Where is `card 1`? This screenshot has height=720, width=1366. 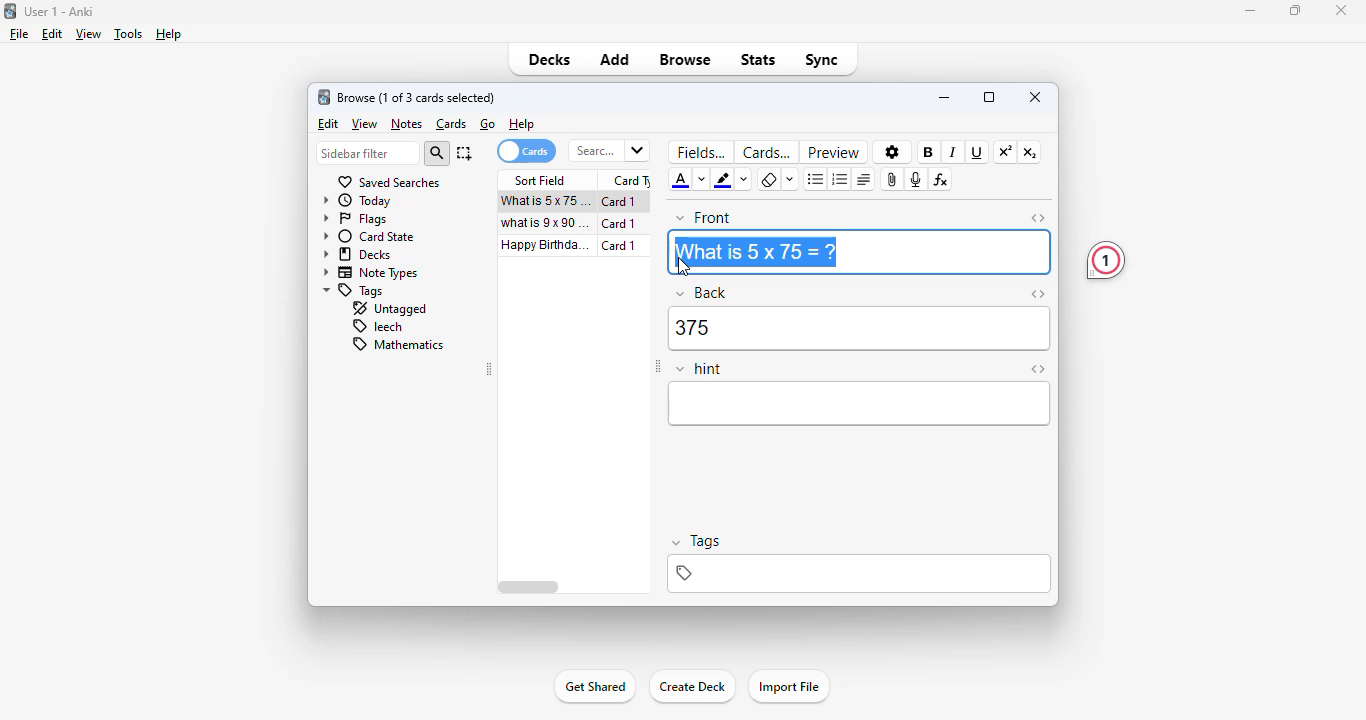
card 1 is located at coordinates (619, 202).